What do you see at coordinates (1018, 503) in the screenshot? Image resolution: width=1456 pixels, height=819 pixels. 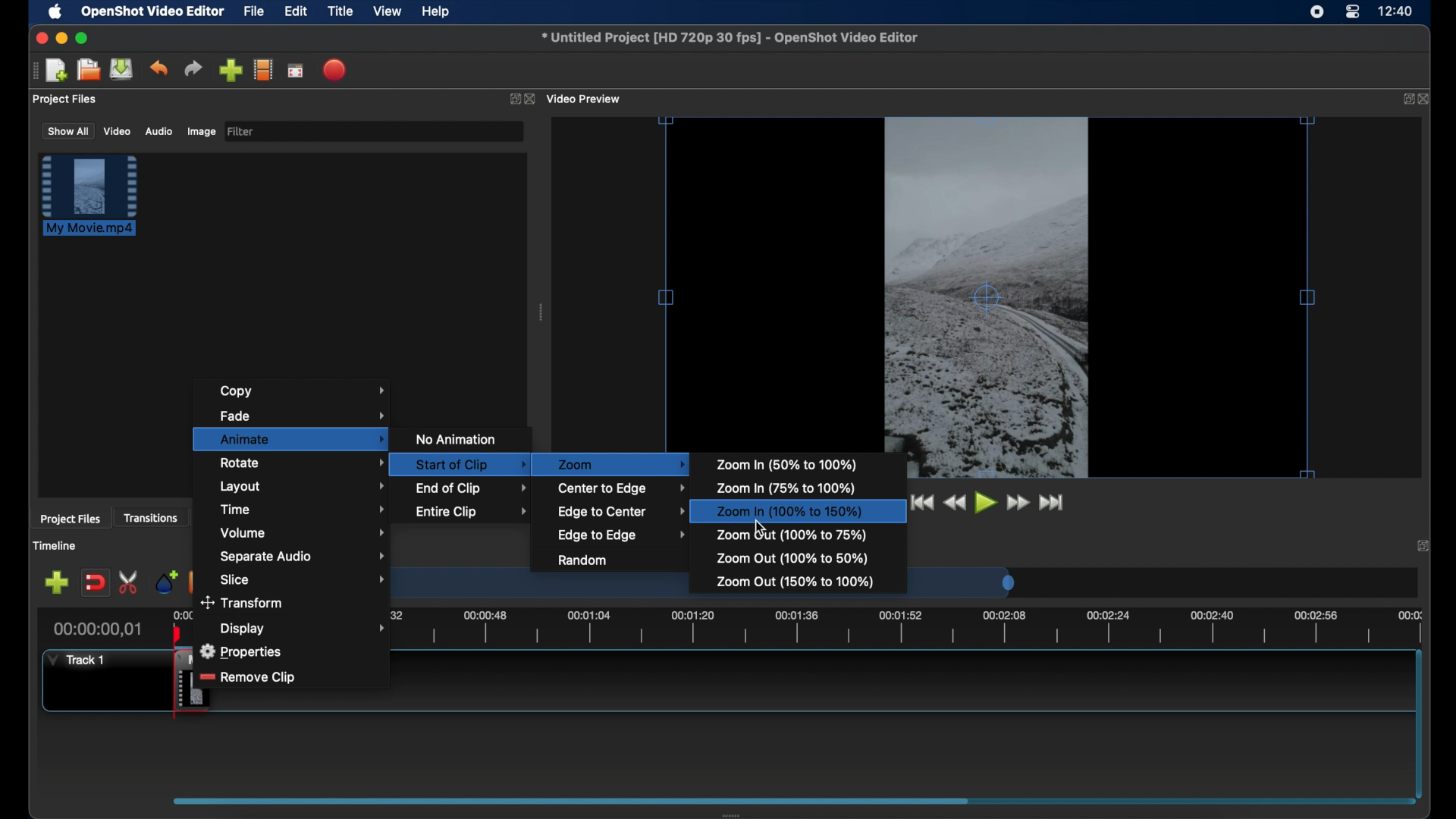 I see `fast forward` at bounding box center [1018, 503].